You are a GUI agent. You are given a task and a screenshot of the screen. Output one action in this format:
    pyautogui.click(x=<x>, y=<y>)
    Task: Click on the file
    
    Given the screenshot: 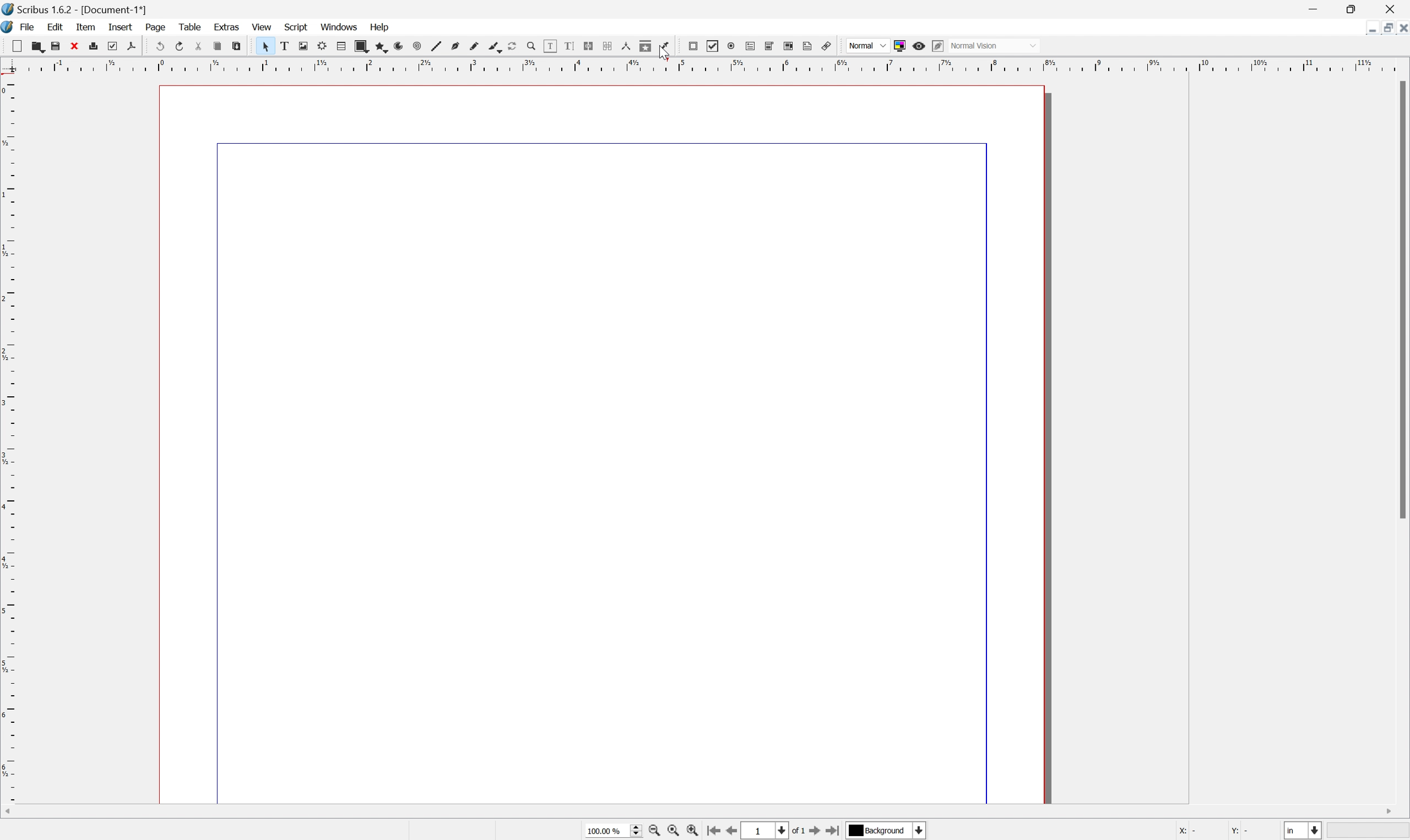 What is the action you would take?
    pyautogui.click(x=29, y=26)
    